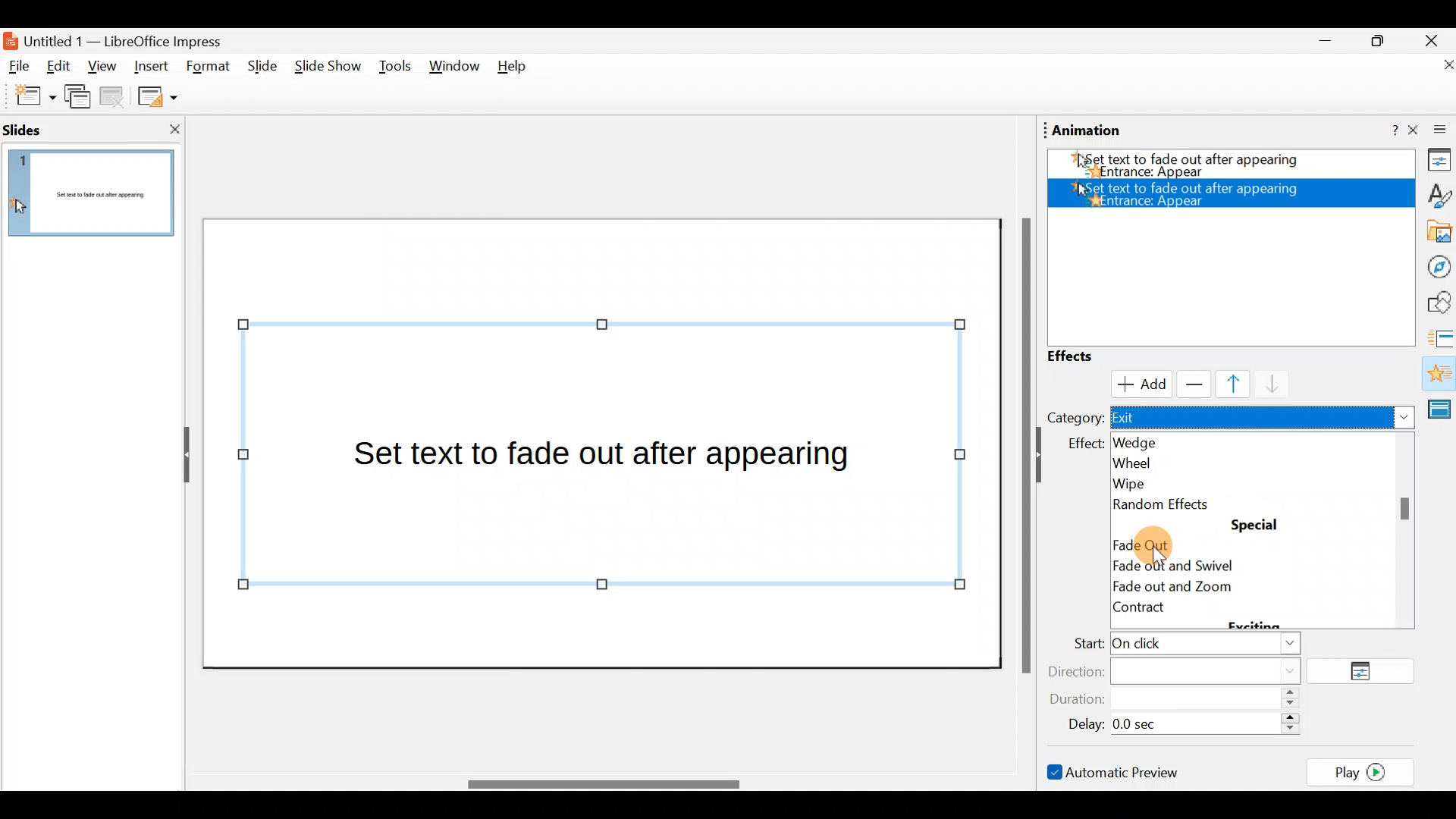 The width and height of the screenshot is (1456, 819). Describe the element at coordinates (1435, 265) in the screenshot. I see `Navigator` at that location.